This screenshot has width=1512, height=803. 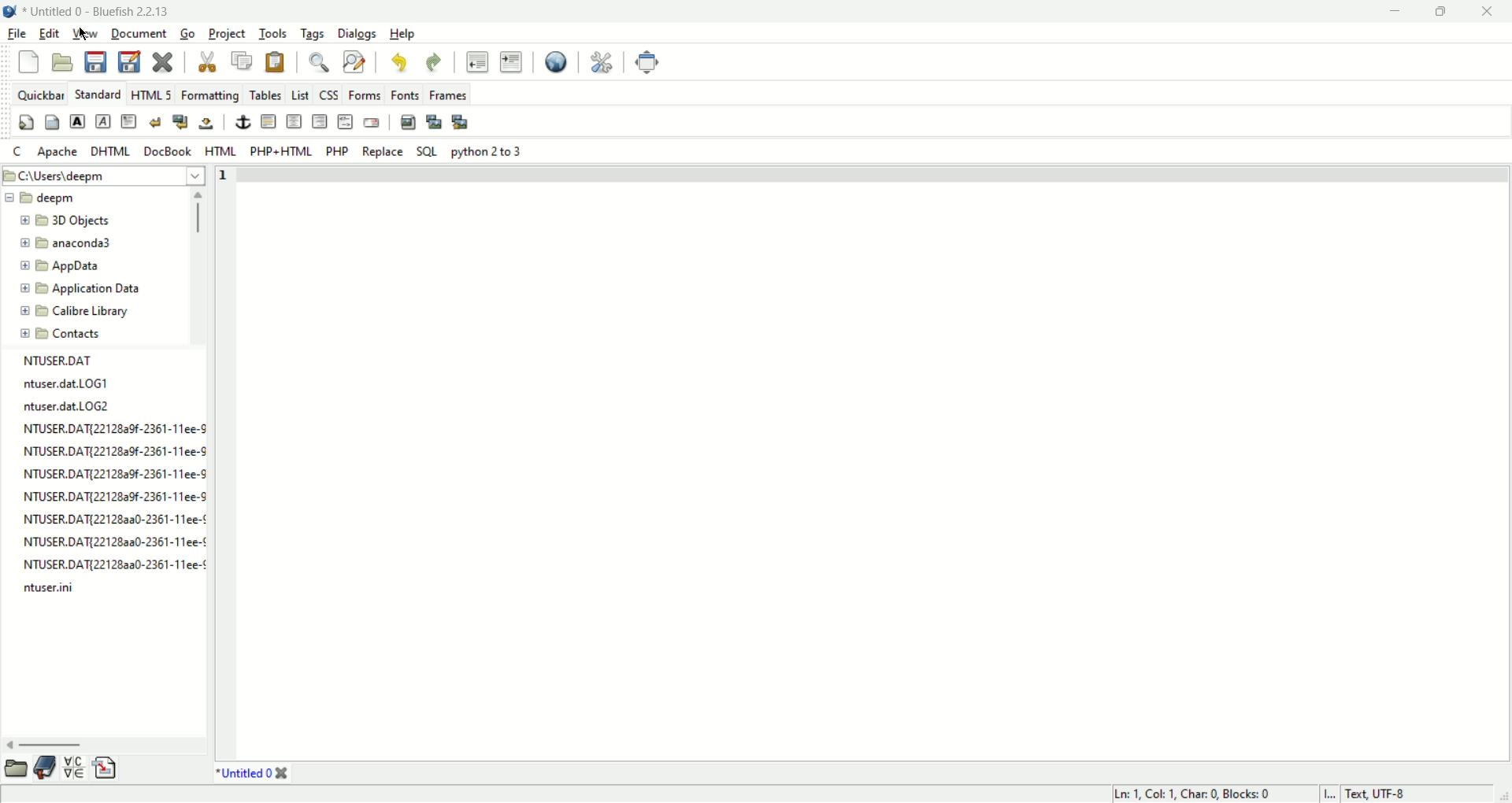 What do you see at coordinates (323, 61) in the screenshot?
I see `find` at bounding box center [323, 61].